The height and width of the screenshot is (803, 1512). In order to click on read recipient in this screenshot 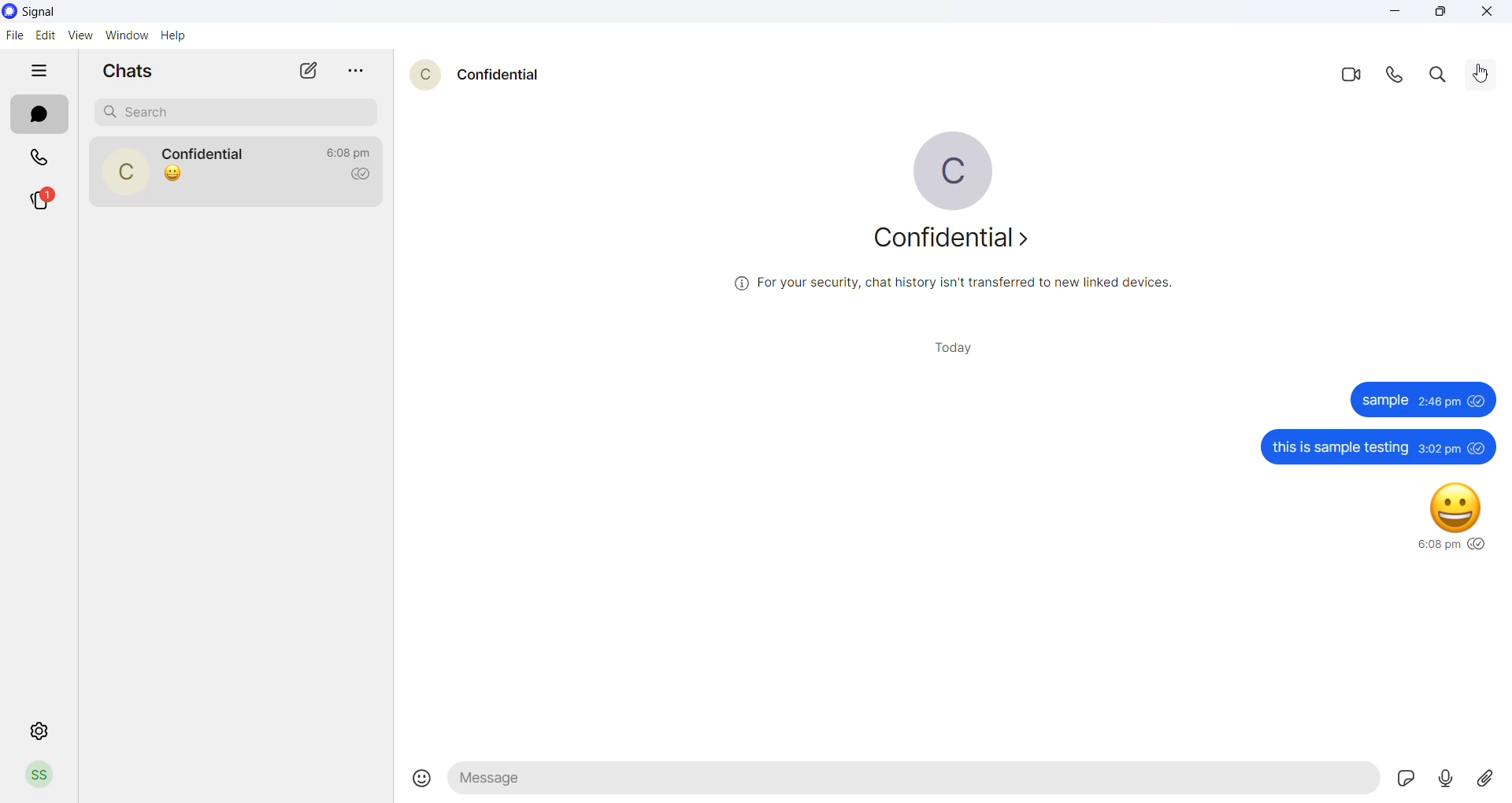, I will do `click(358, 176)`.